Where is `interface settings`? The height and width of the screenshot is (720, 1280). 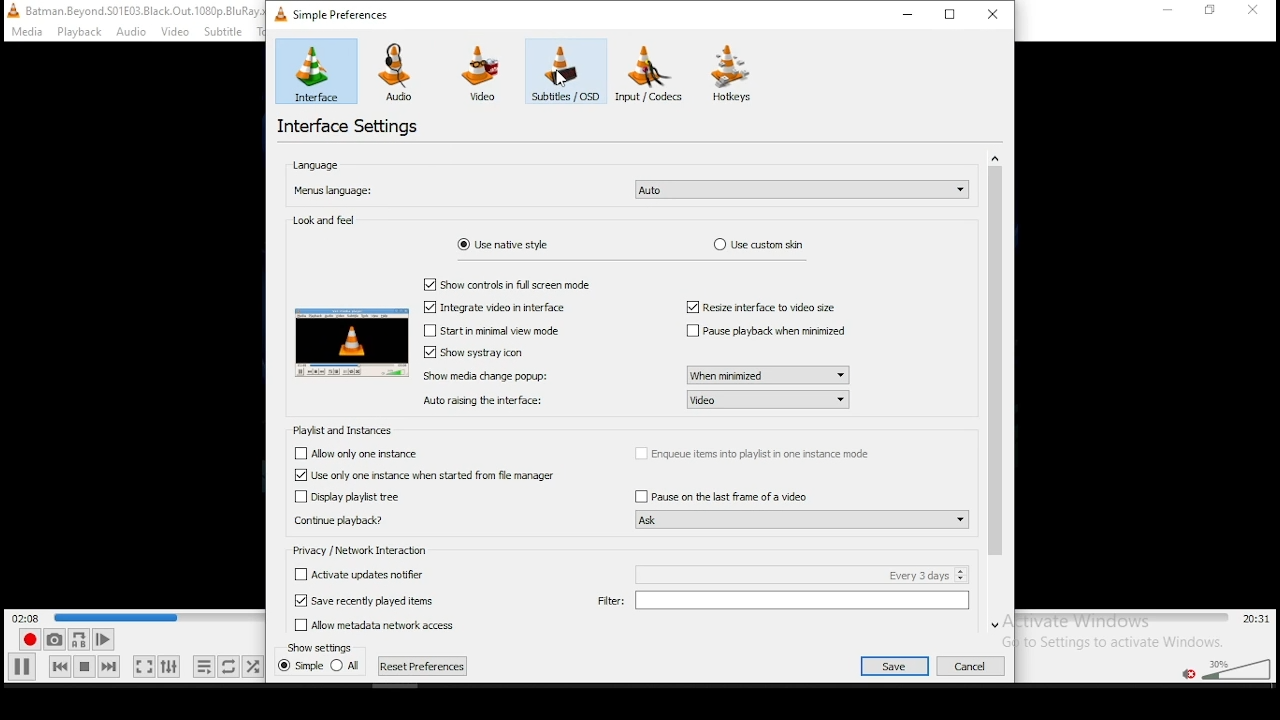 interface settings is located at coordinates (350, 127).